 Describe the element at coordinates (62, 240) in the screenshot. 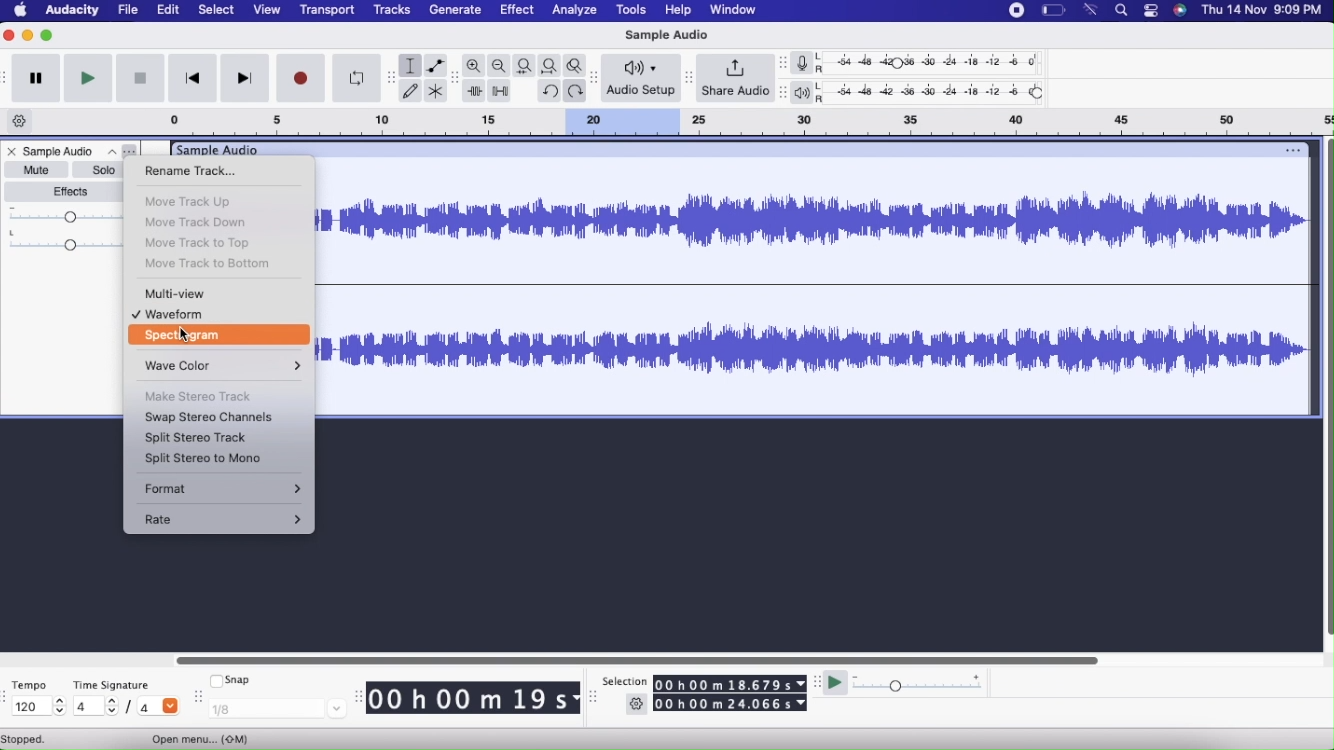

I see `Pan: Center` at that location.